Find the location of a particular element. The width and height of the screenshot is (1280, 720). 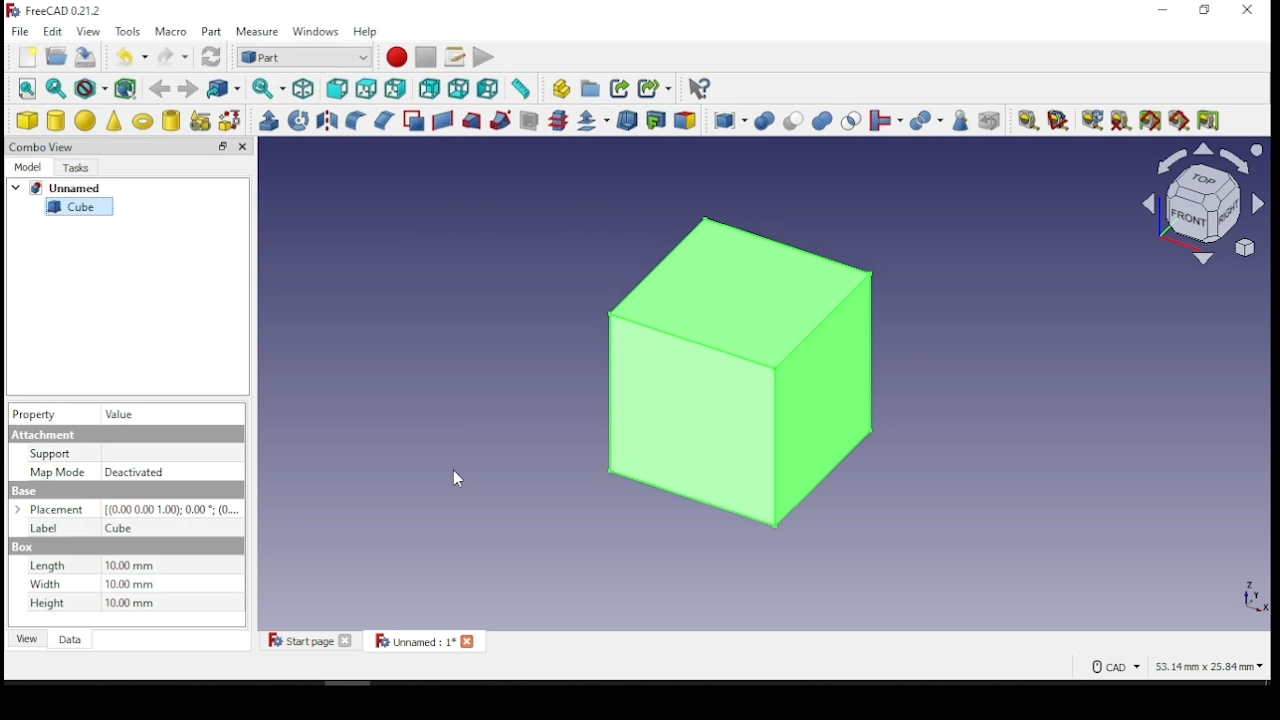

clear all is located at coordinates (1120, 119).